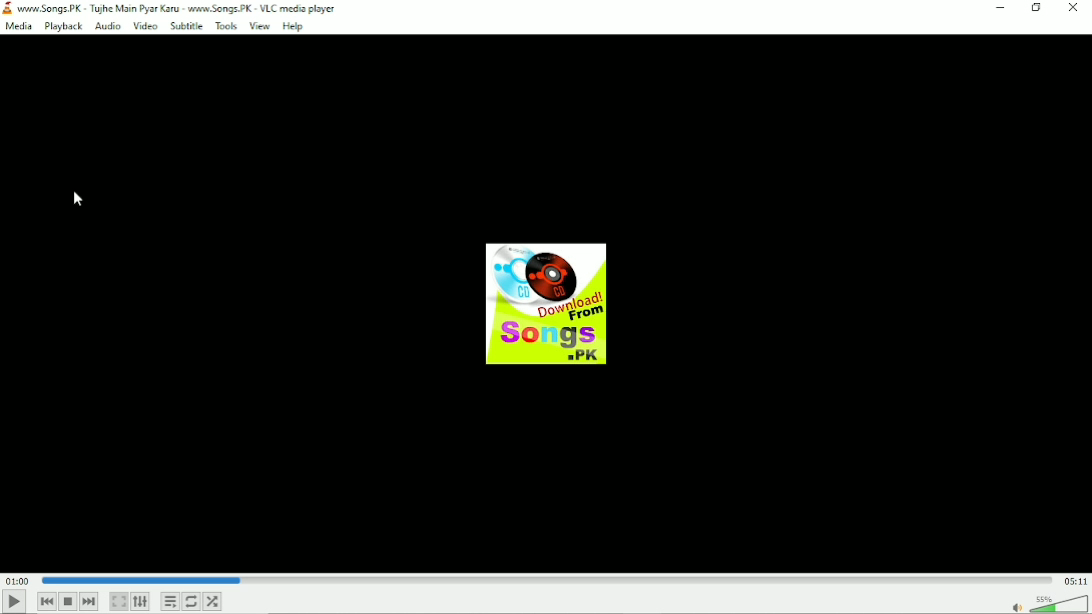  What do you see at coordinates (545, 304) in the screenshot?
I see `Audio track` at bounding box center [545, 304].